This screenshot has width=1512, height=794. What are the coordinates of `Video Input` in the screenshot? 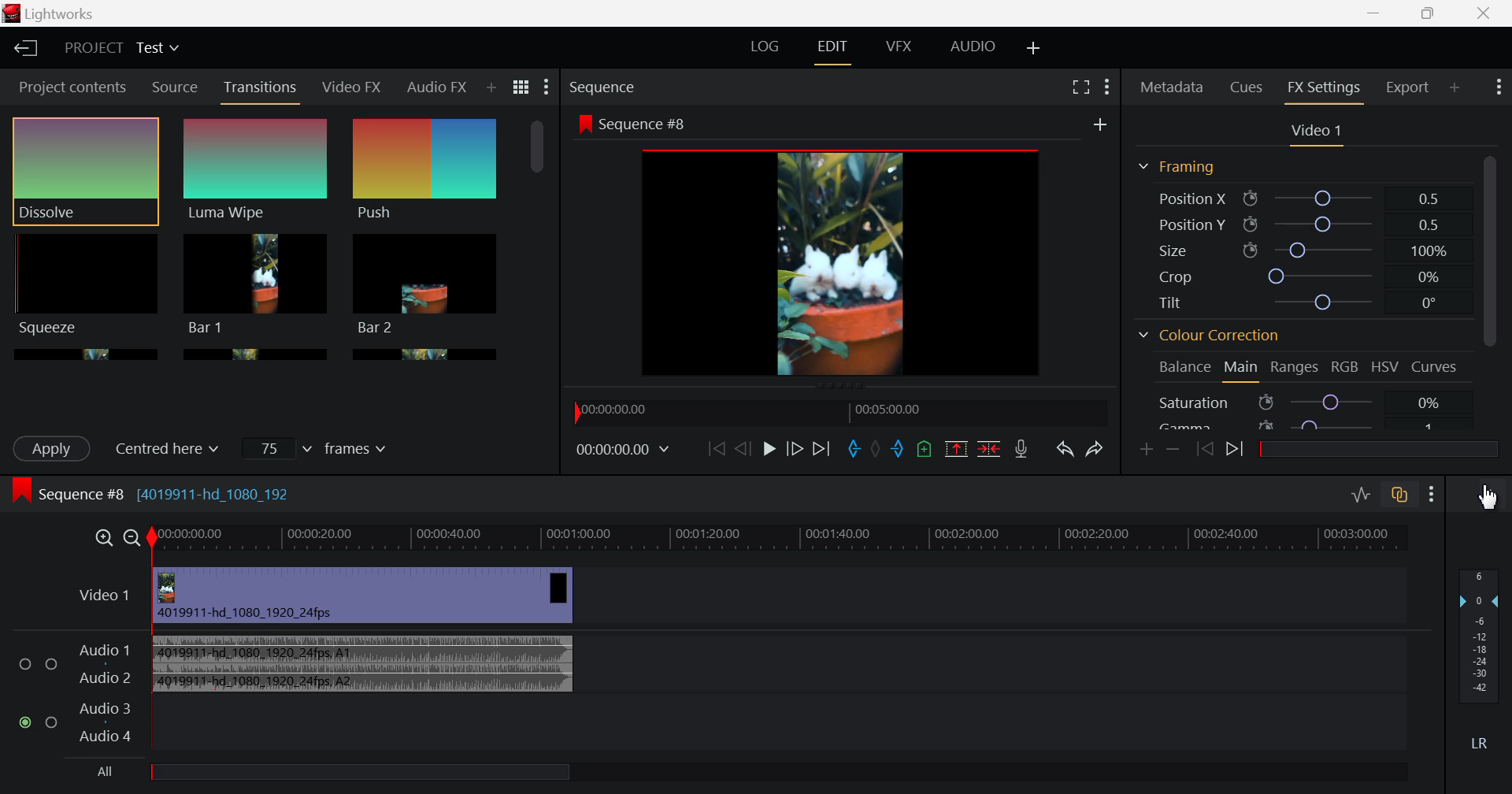 It's located at (326, 595).